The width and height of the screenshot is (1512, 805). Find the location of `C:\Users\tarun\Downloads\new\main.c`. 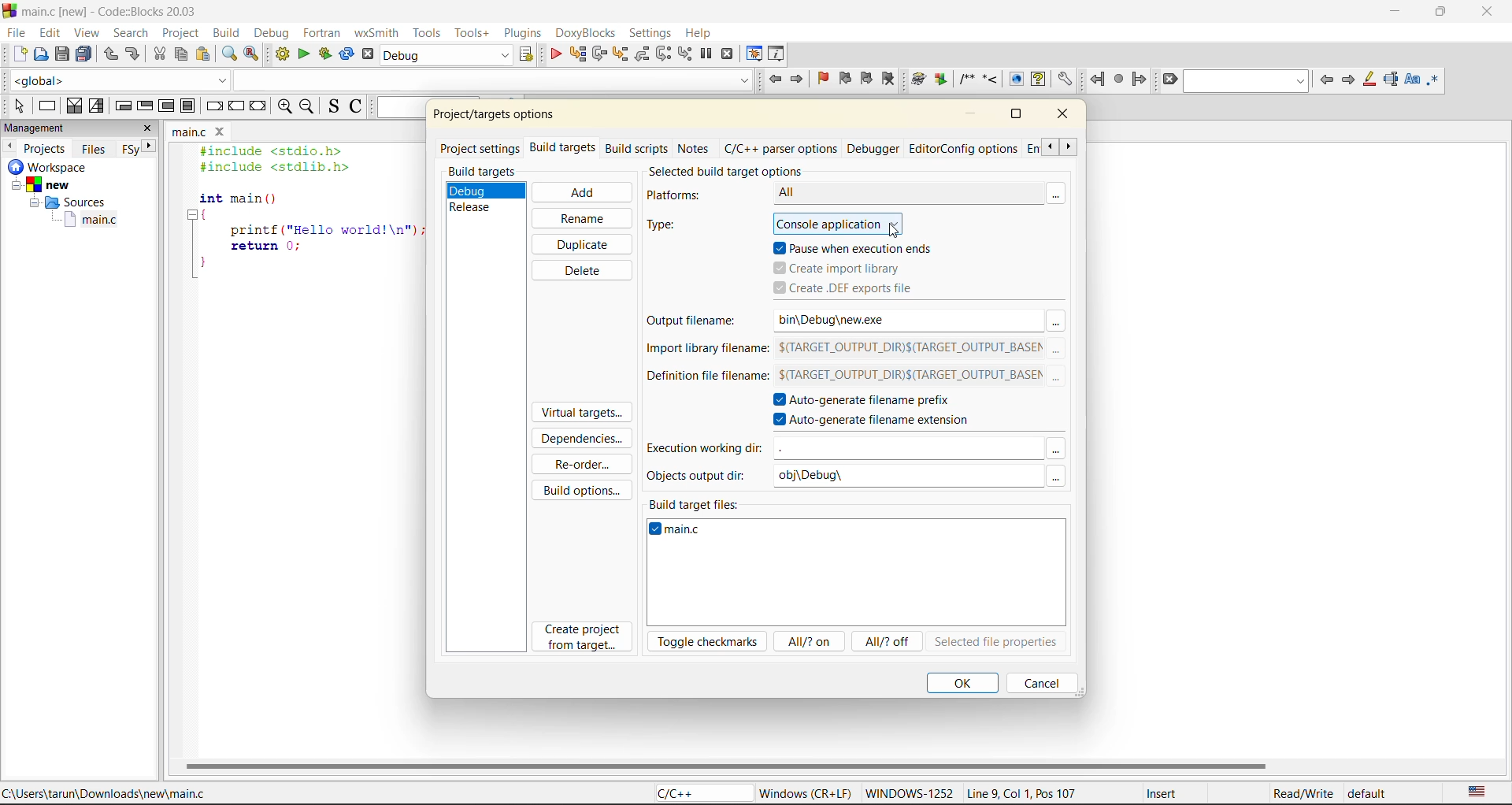

C:\Users\tarun\Downloads\new\main.c is located at coordinates (109, 794).